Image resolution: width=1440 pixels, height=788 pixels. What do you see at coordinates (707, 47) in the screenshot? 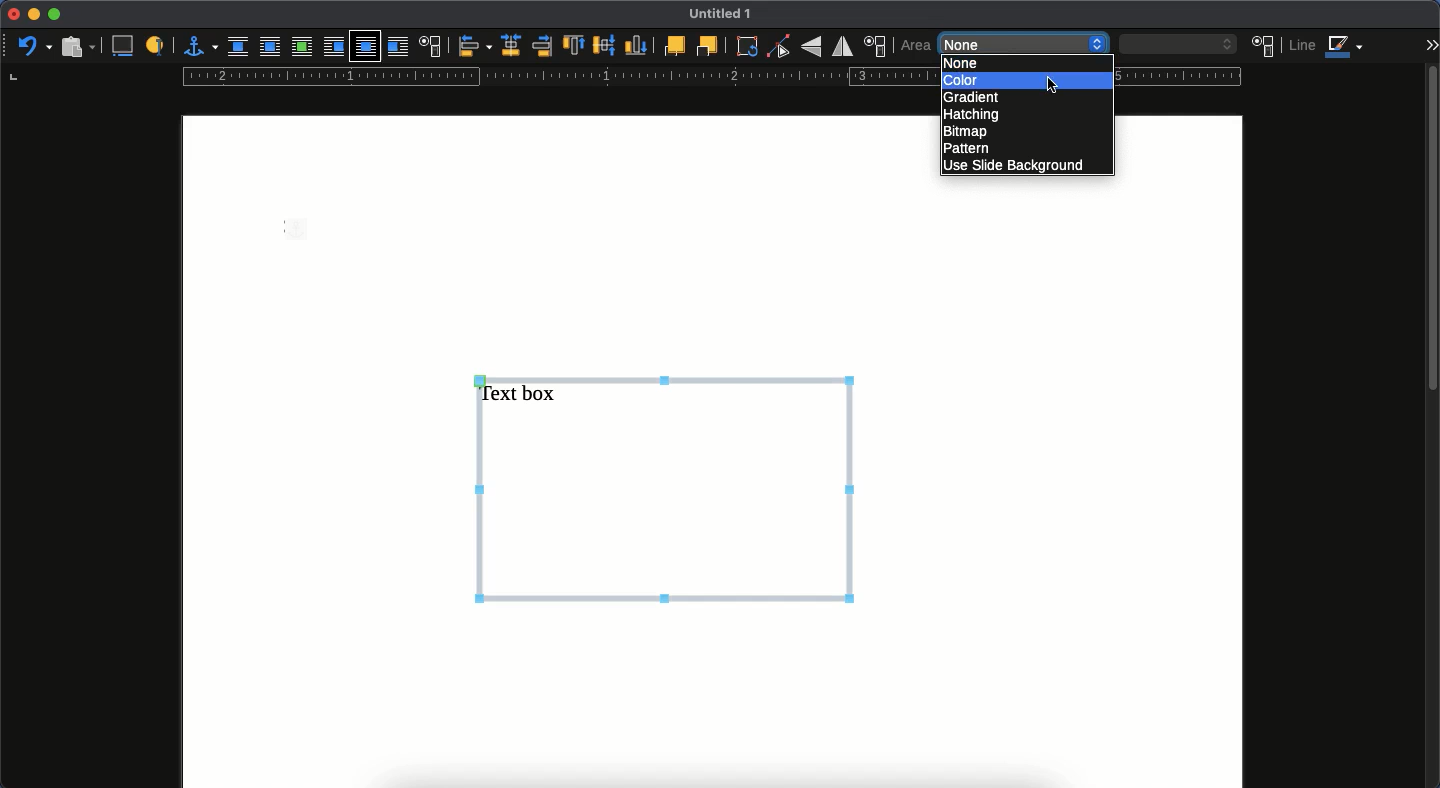
I see `back one` at bounding box center [707, 47].